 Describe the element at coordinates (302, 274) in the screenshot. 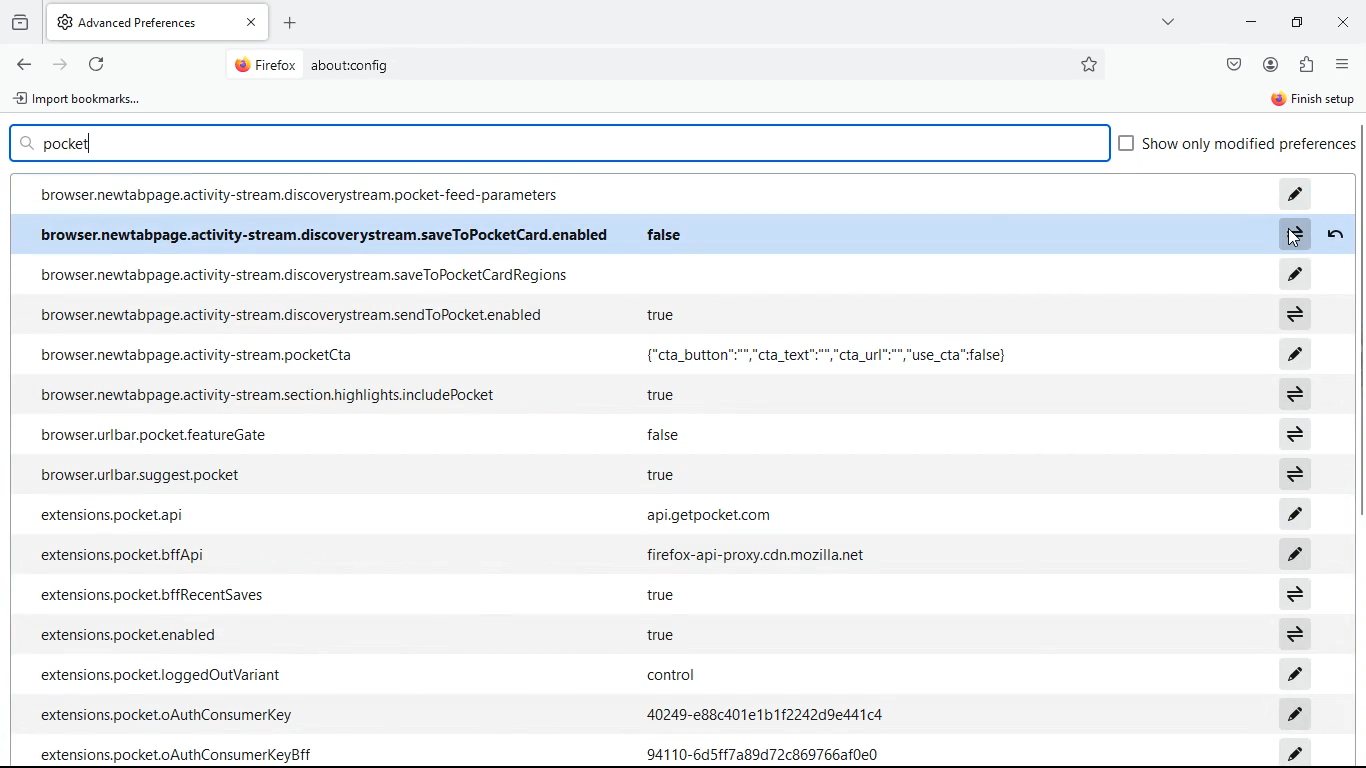

I see `browser.newtabpage.activity-stream.discoverystream.saveToPocketCardRegions` at that location.